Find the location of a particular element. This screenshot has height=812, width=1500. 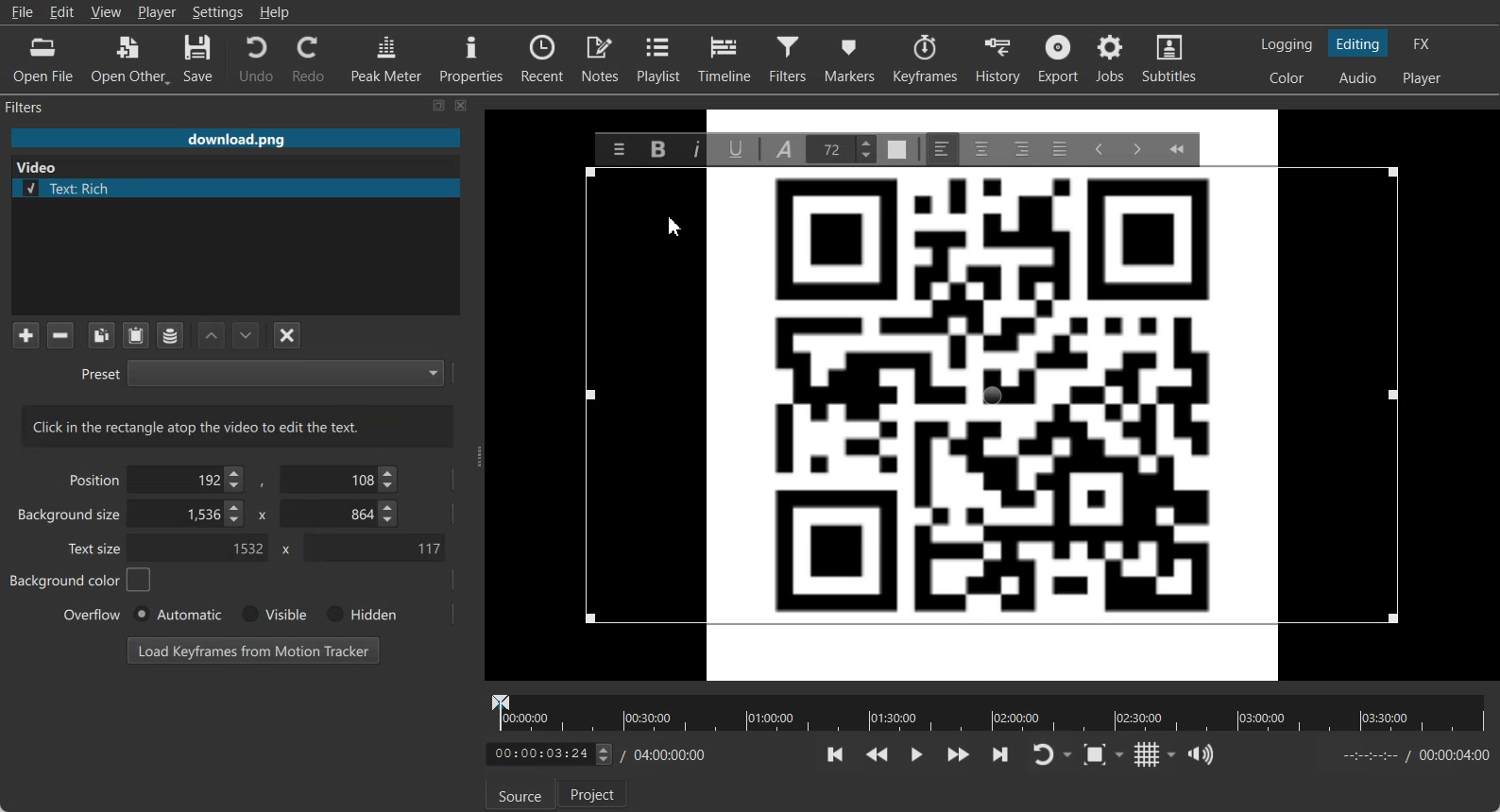

History is located at coordinates (1000, 59).